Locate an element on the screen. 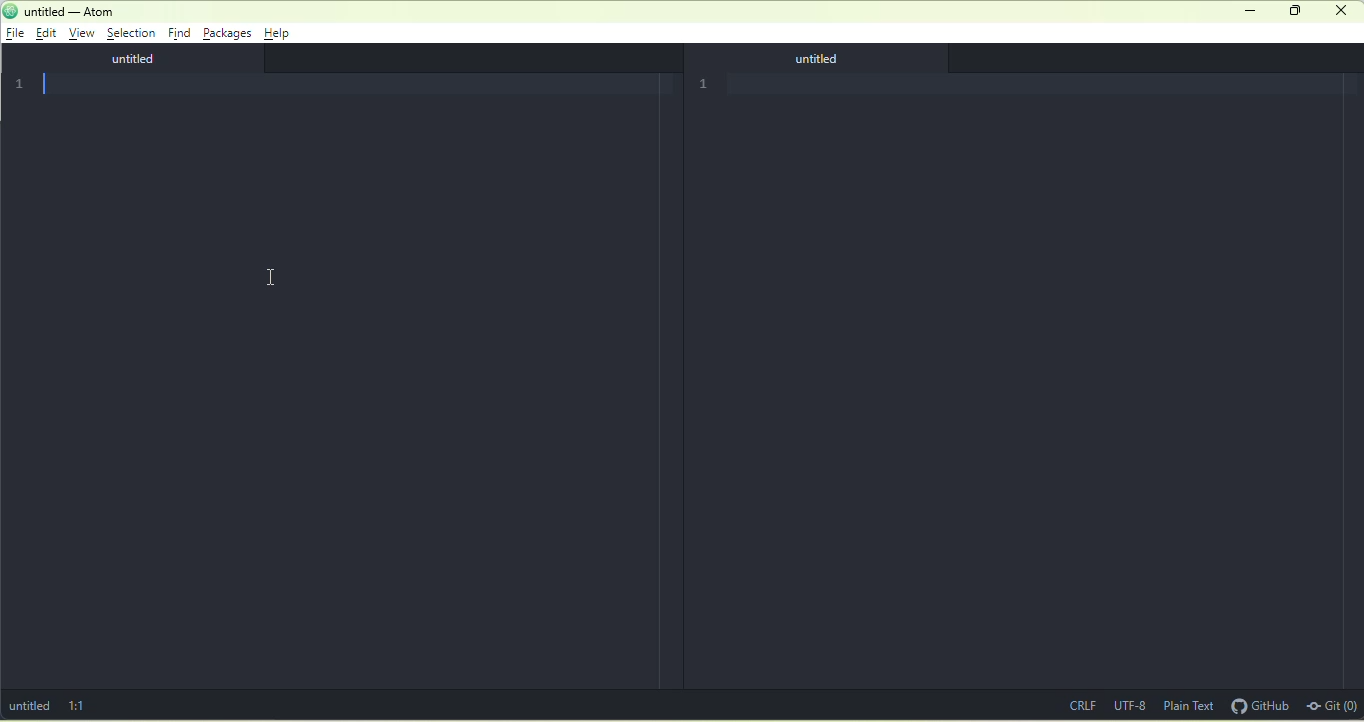 Image resolution: width=1364 pixels, height=722 pixels. 1 is located at coordinates (709, 83).